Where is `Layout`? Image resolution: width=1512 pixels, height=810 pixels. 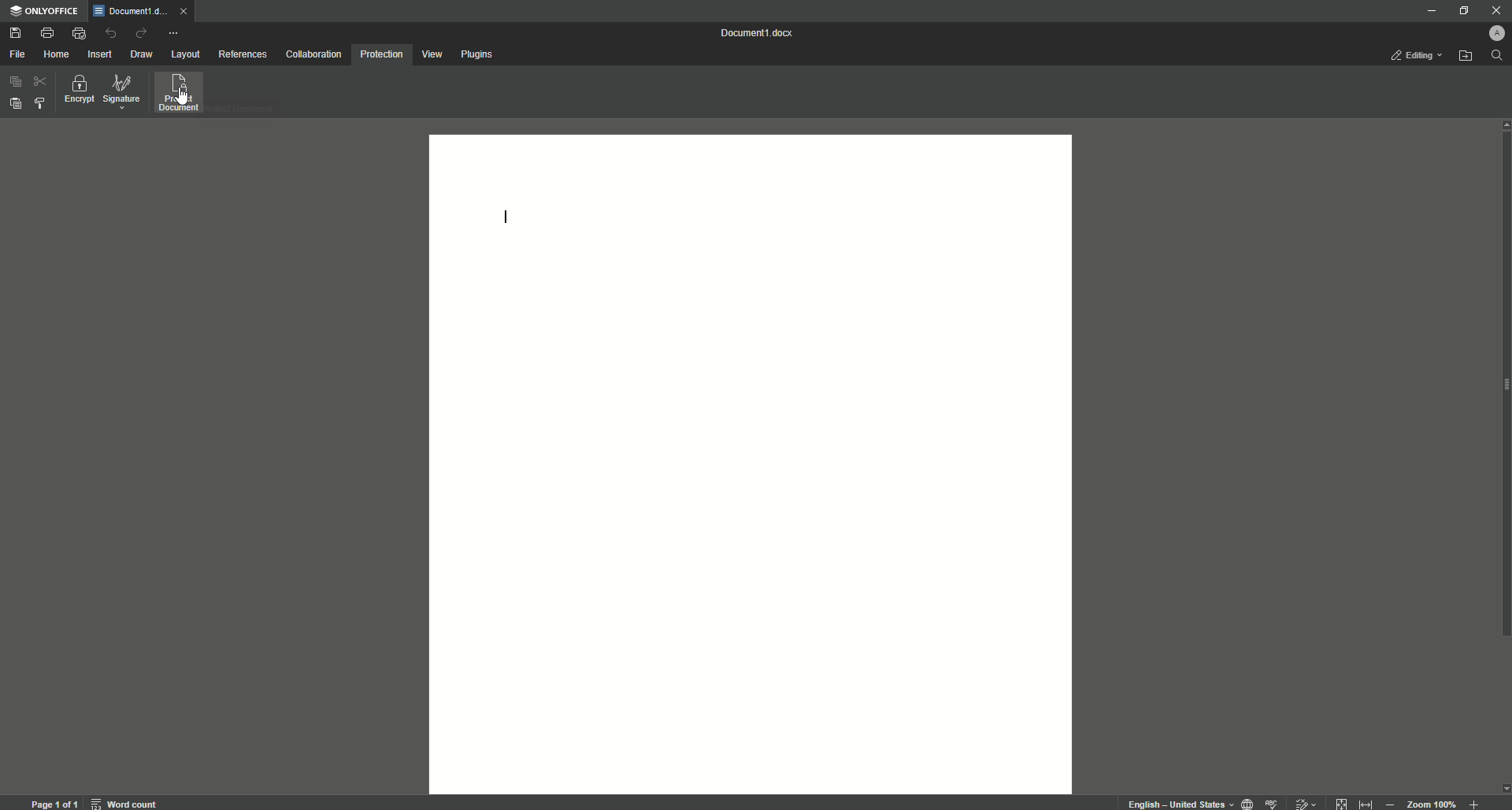
Layout is located at coordinates (187, 55).